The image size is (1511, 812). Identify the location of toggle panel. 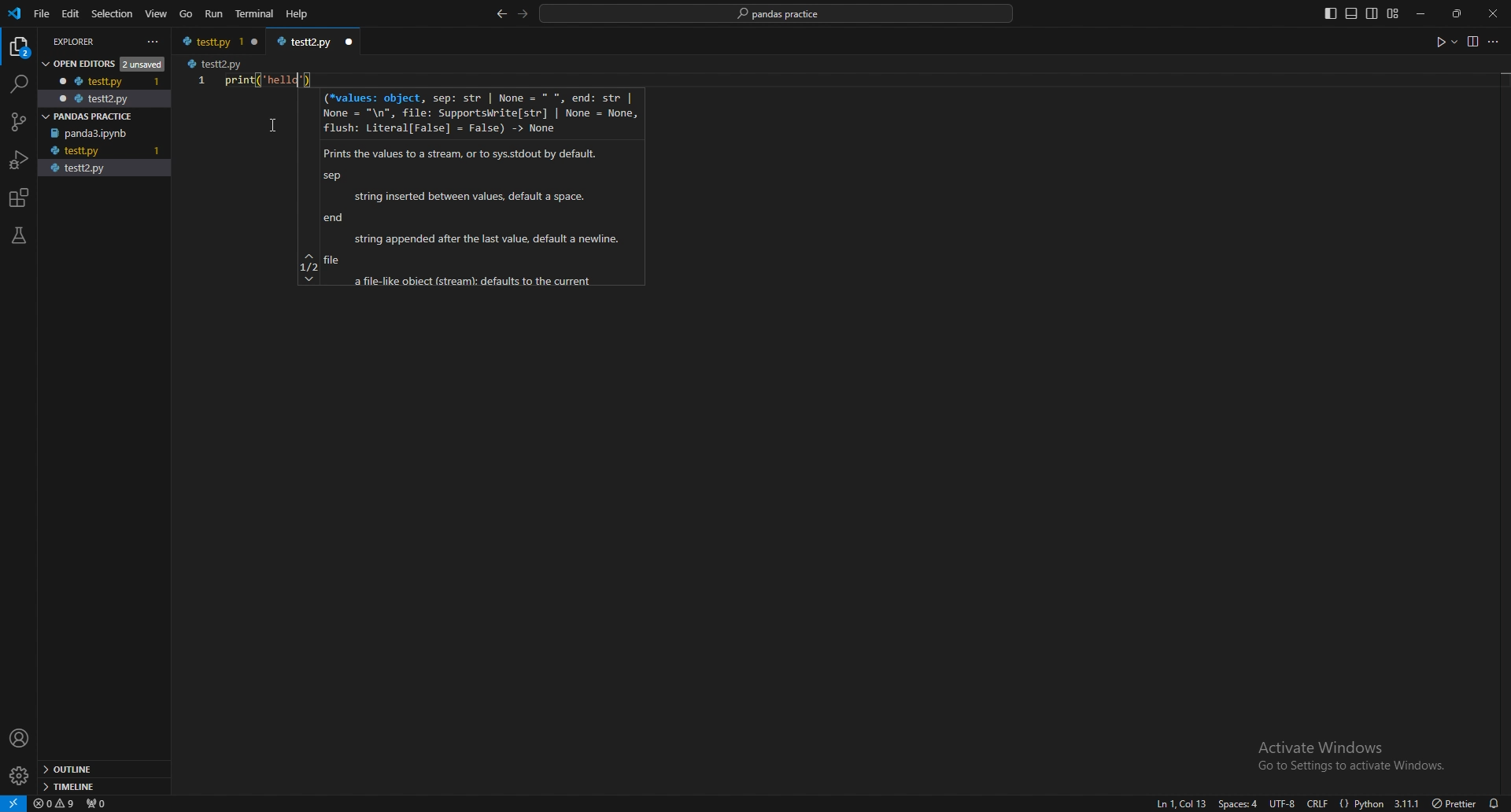
(1351, 14).